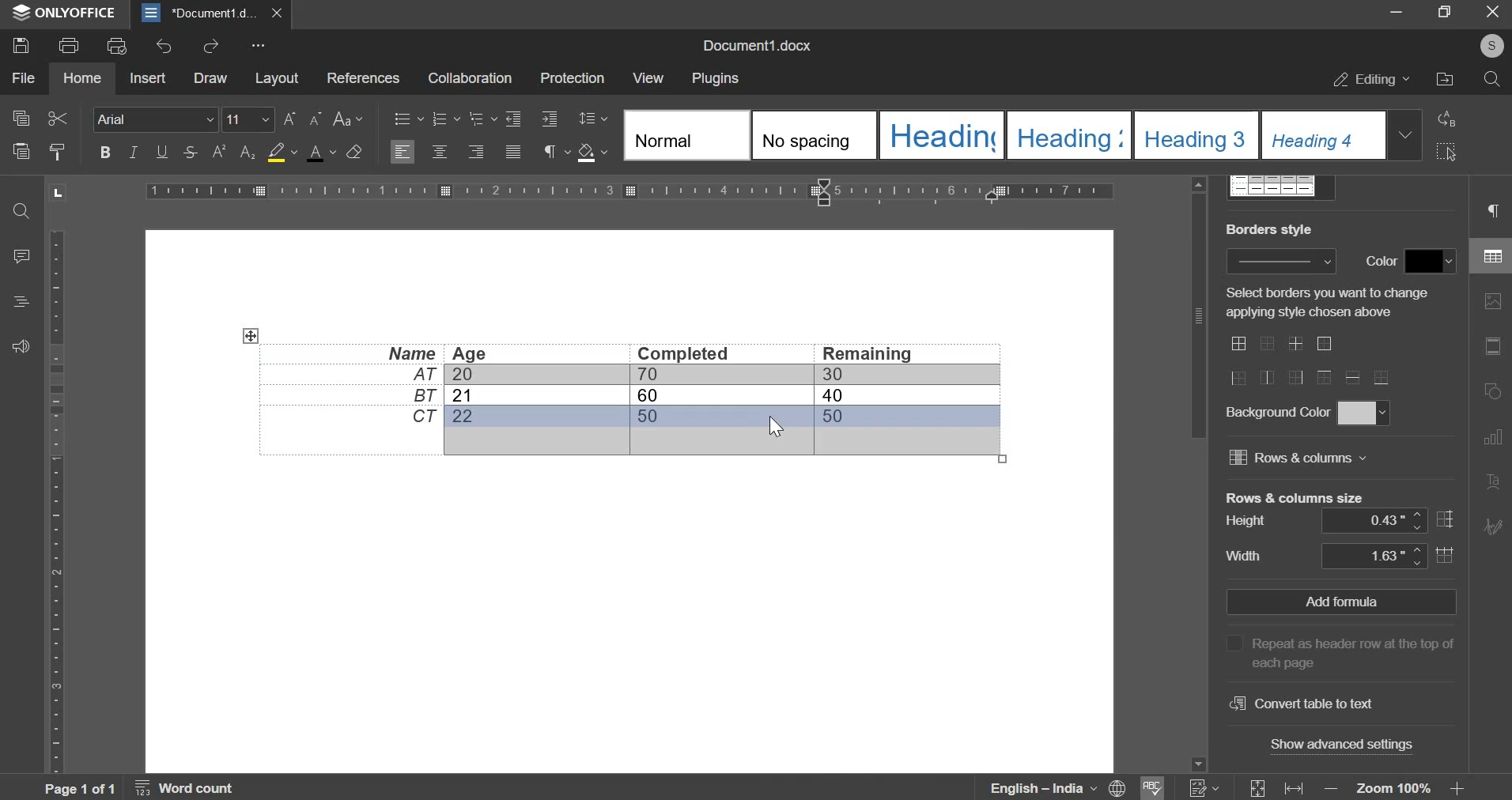 The image size is (1512, 800). I want to click on document1, so click(212, 13).